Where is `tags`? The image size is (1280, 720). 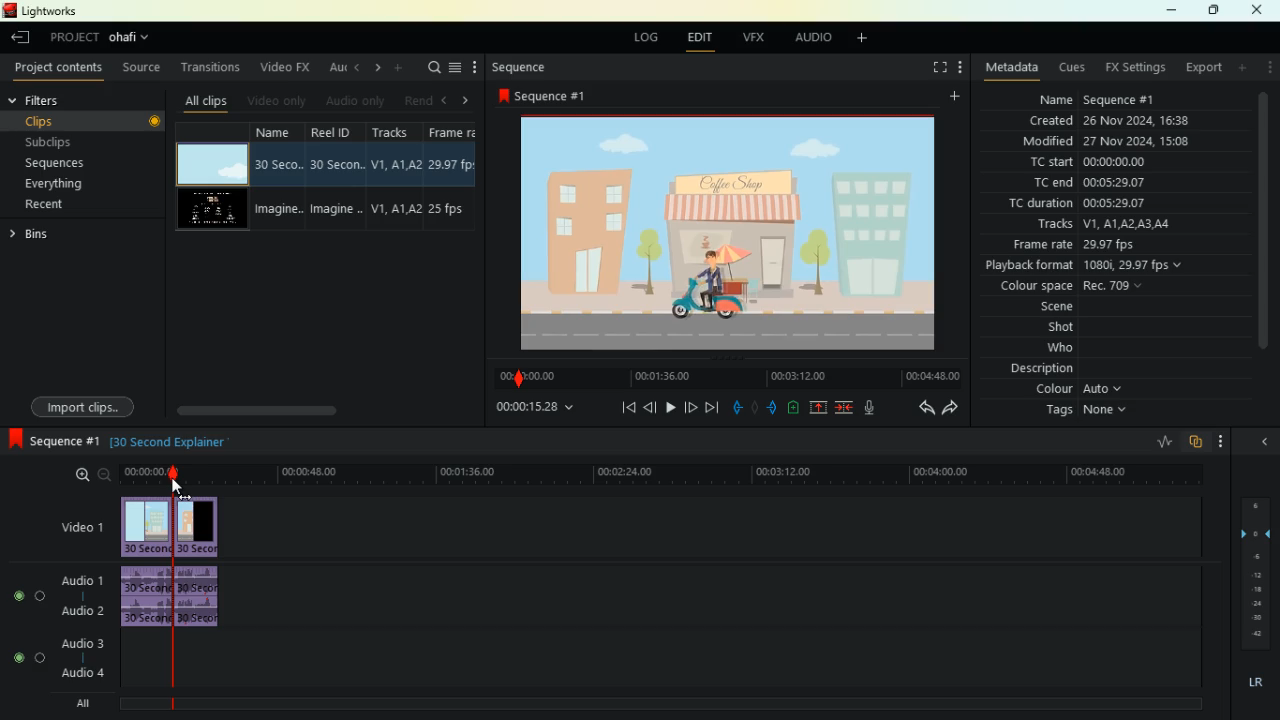
tags is located at coordinates (1081, 413).